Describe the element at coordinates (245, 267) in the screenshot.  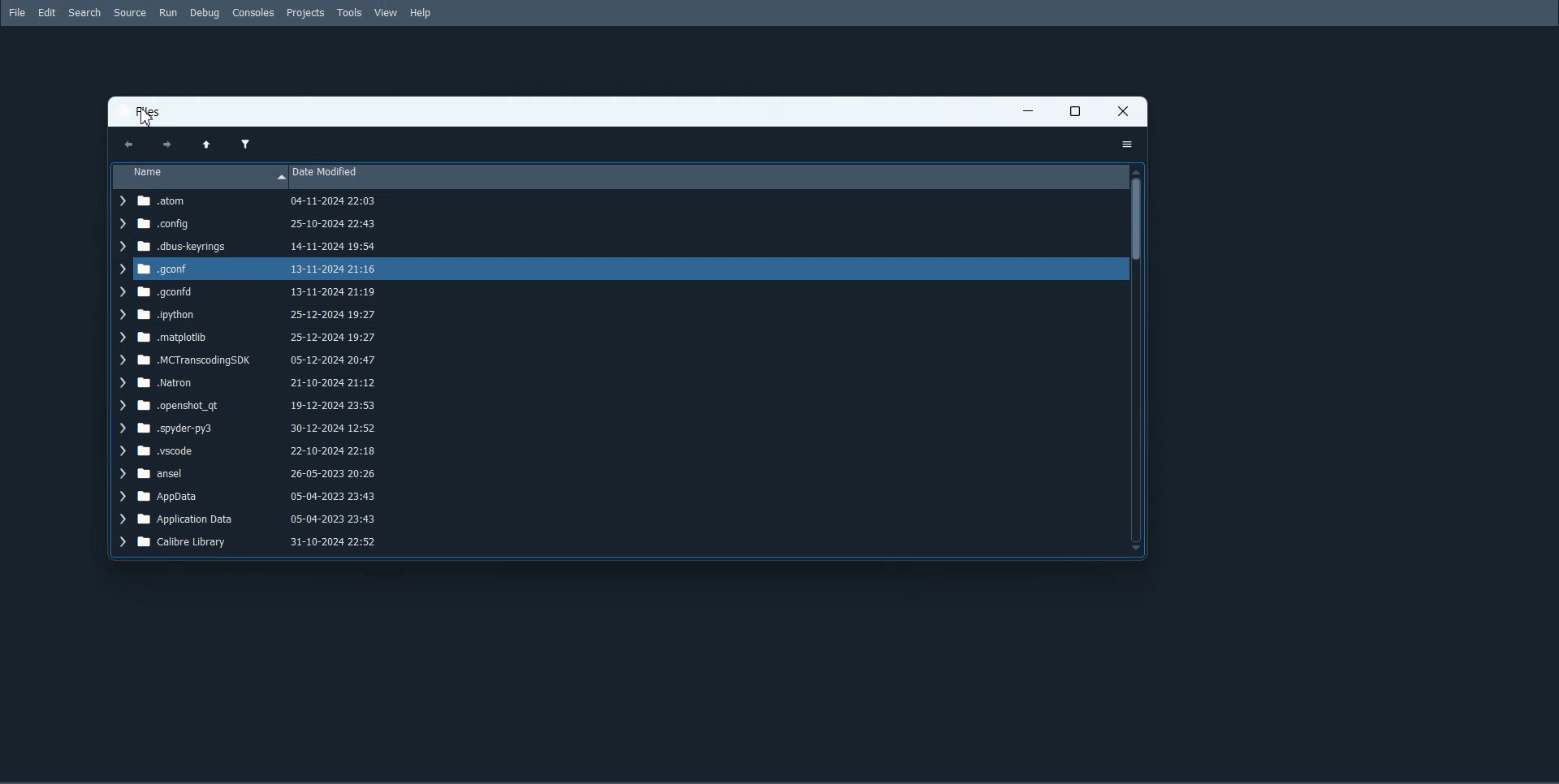
I see `.qconf 13-11-2024 21:16` at that location.